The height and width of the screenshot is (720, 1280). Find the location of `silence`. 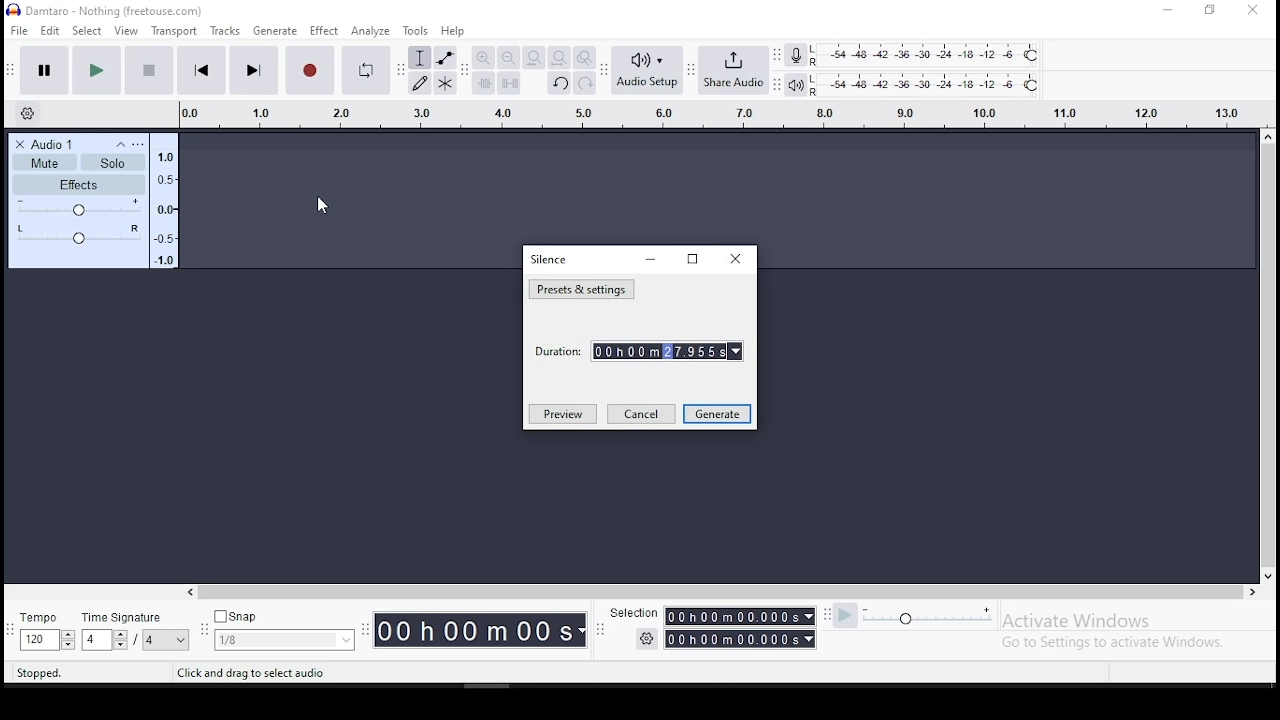

silence is located at coordinates (550, 259).